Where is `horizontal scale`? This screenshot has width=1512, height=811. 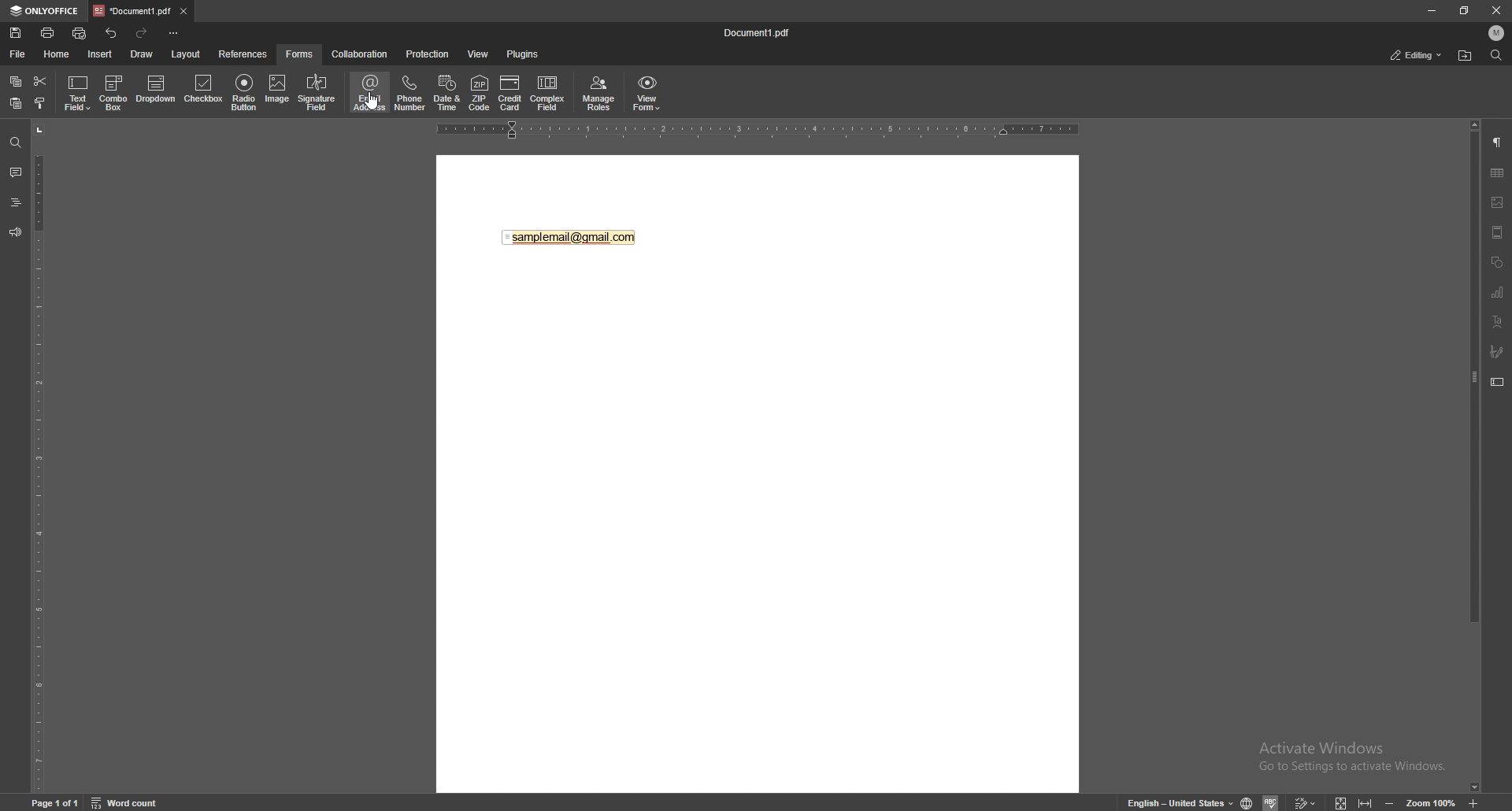
horizontal scale is located at coordinates (758, 132).